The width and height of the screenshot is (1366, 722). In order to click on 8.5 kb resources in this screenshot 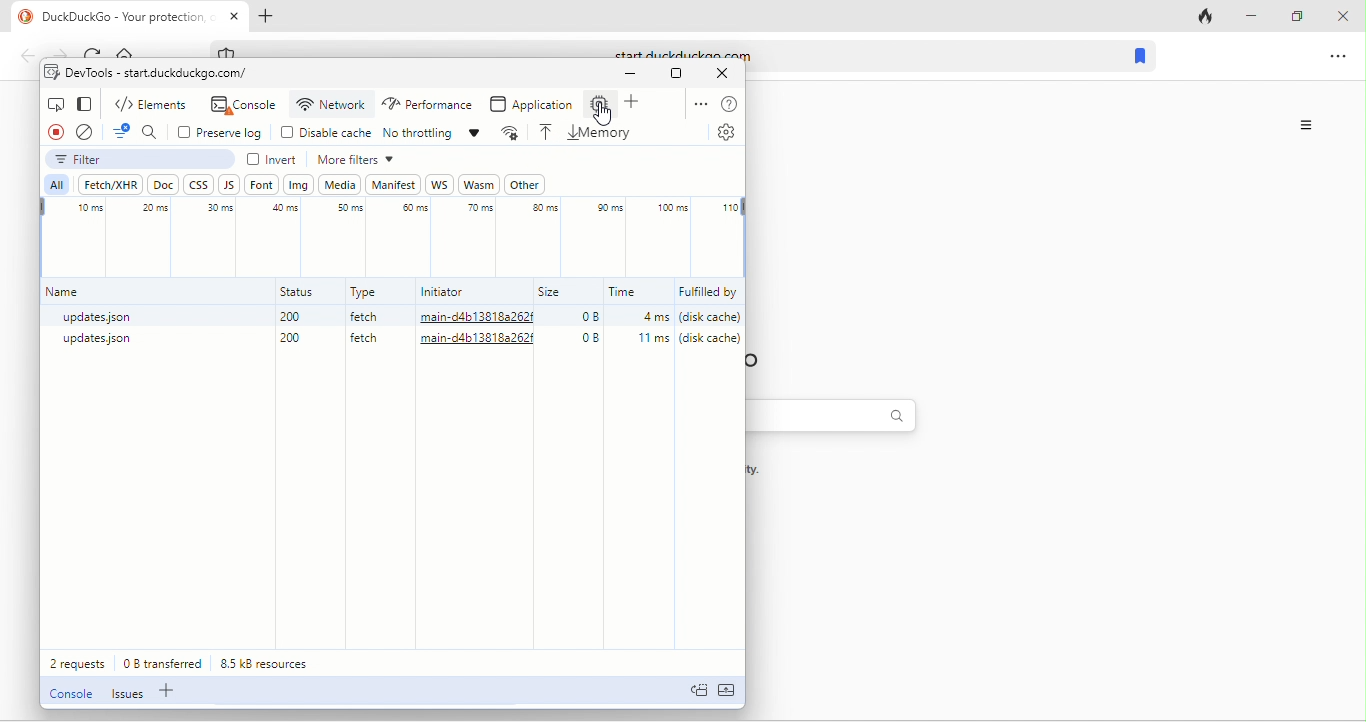, I will do `click(272, 663)`.